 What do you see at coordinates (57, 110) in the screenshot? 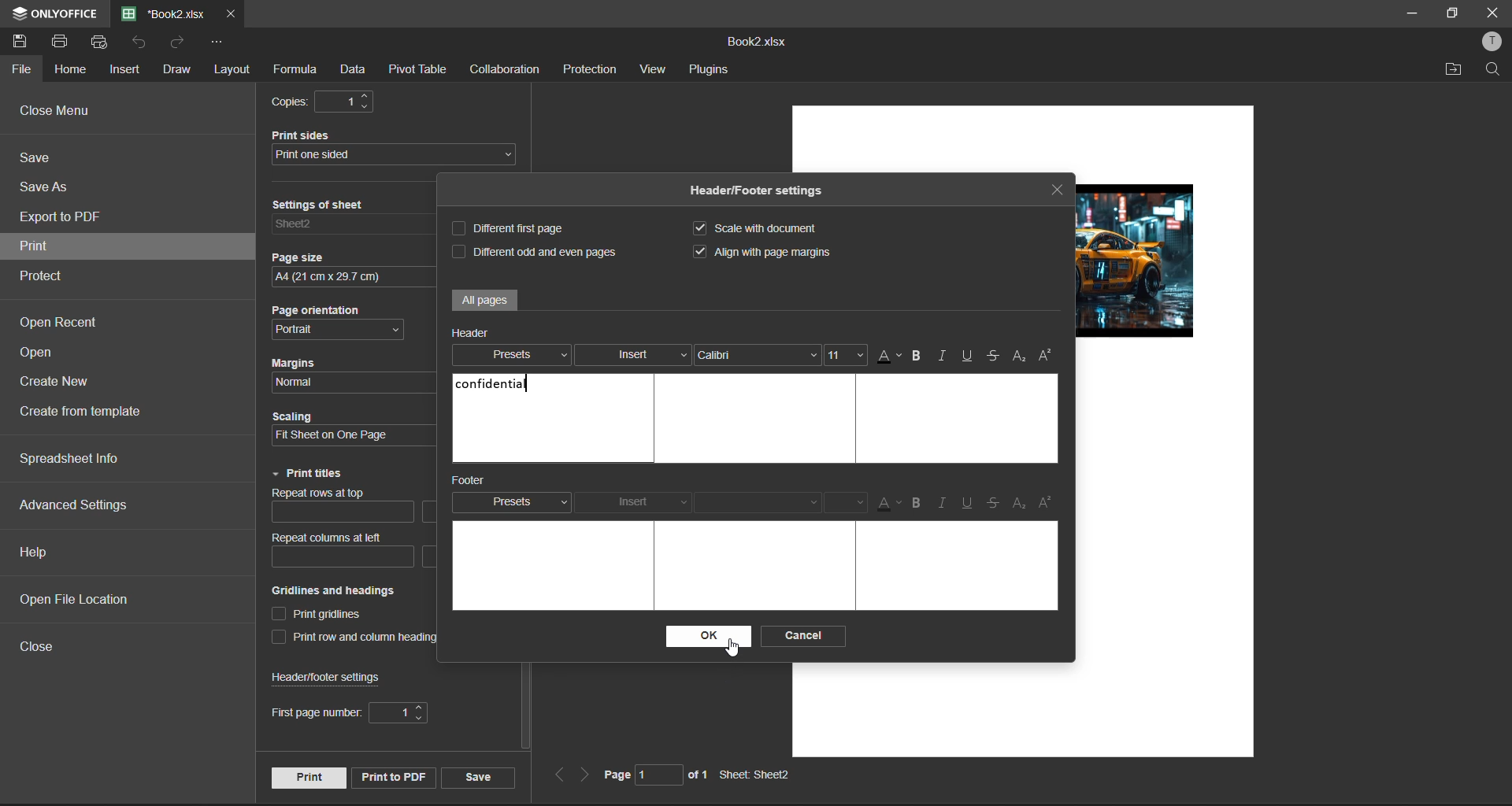
I see `close menu` at bounding box center [57, 110].